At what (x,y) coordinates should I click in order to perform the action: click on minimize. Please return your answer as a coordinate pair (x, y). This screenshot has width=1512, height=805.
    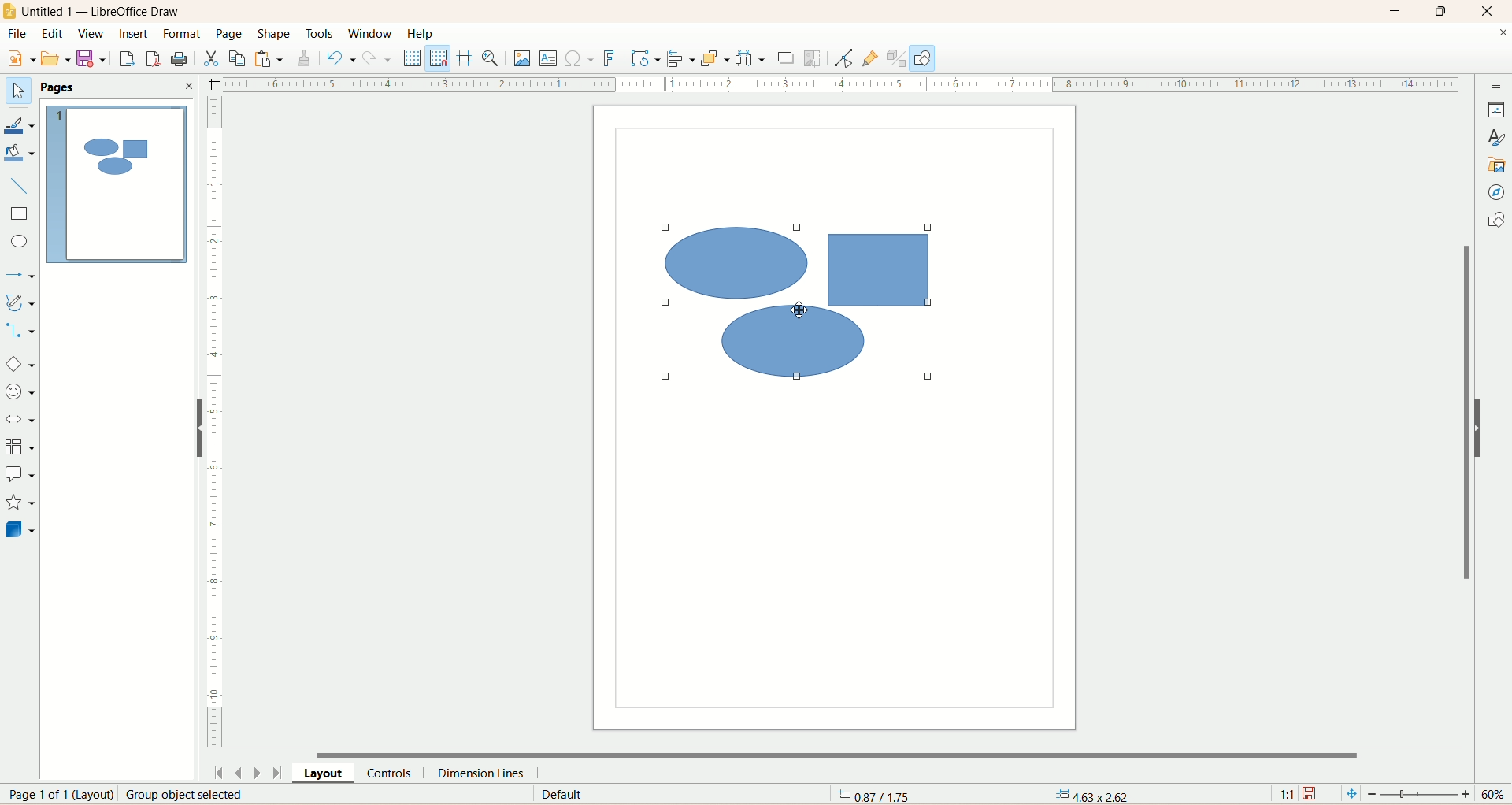
    Looking at the image, I should click on (1398, 11).